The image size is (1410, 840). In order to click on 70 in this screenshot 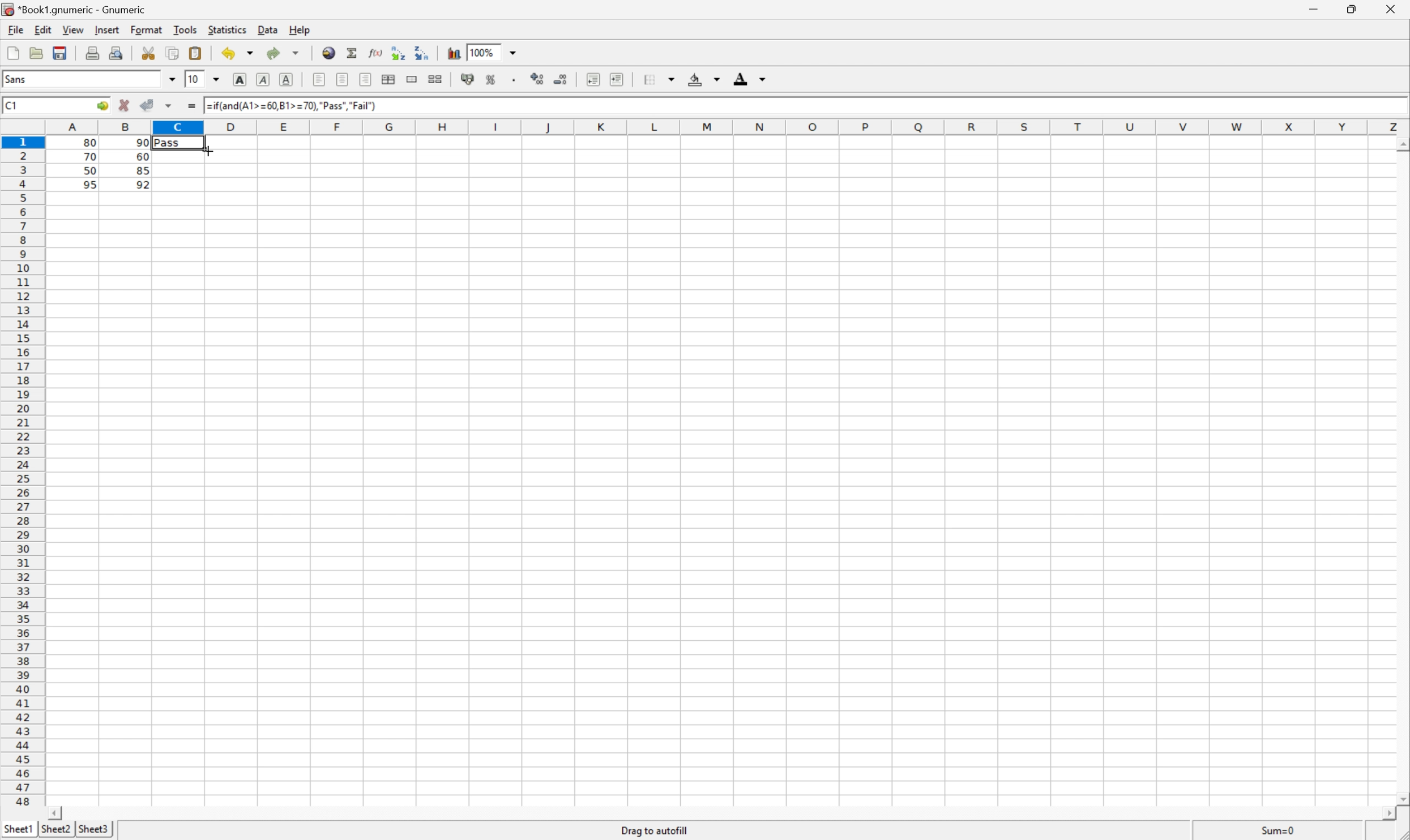, I will do `click(91, 158)`.